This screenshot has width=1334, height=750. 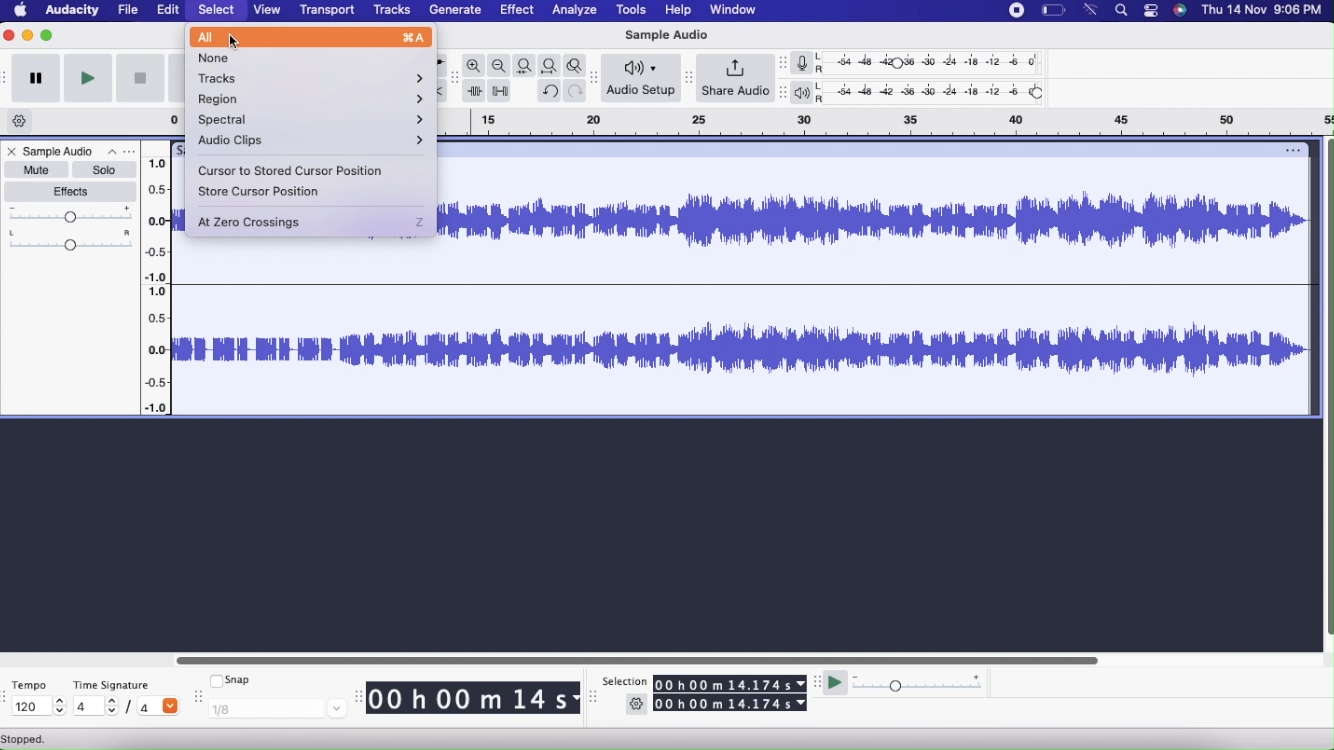 What do you see at coordinates (806, 92) in the screenshot?
I see `Playback meter` at bounding box center [806, 92].